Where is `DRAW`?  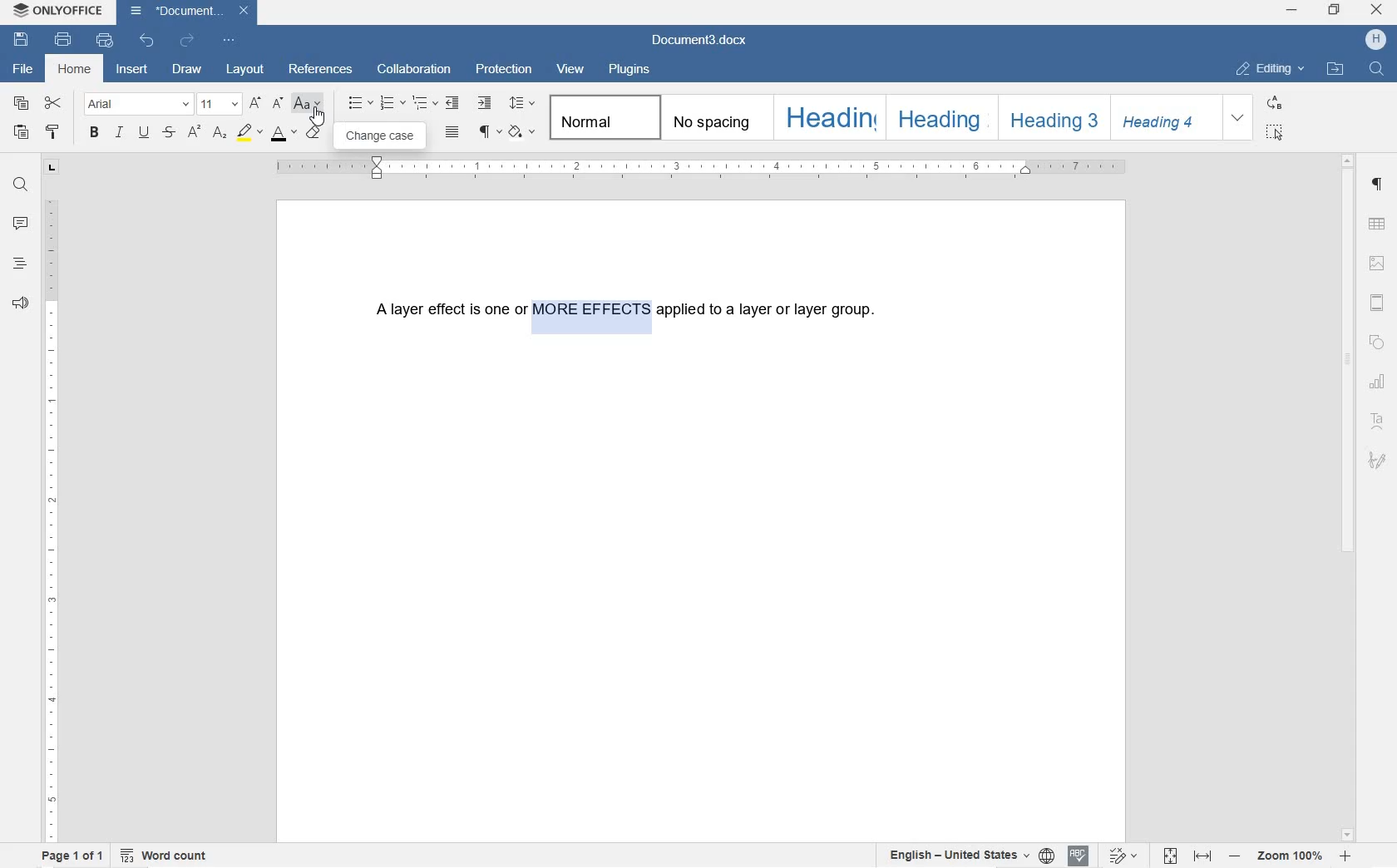 DRAW is located at coordinates (187, 68).